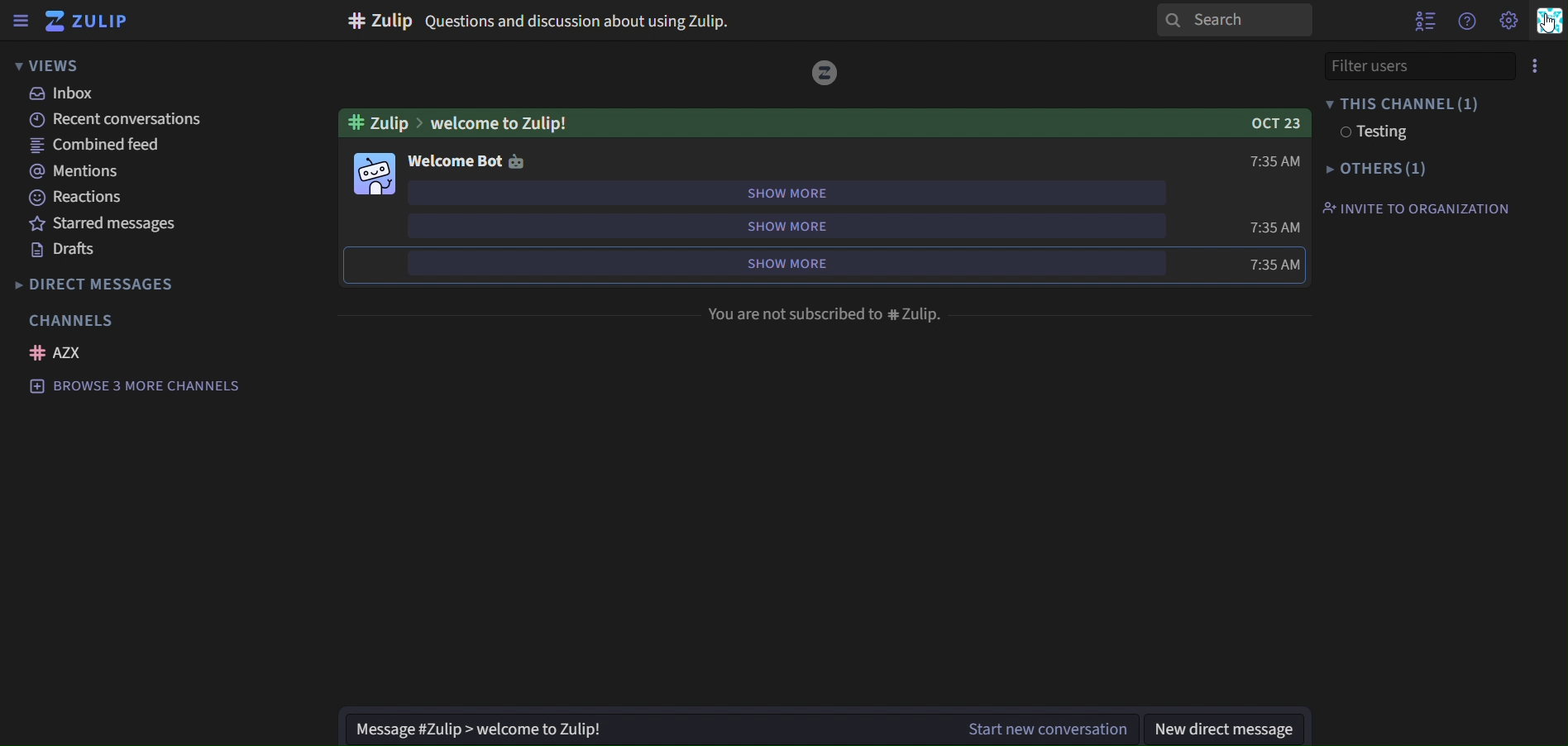  I want to click on image, so click(376, 174).